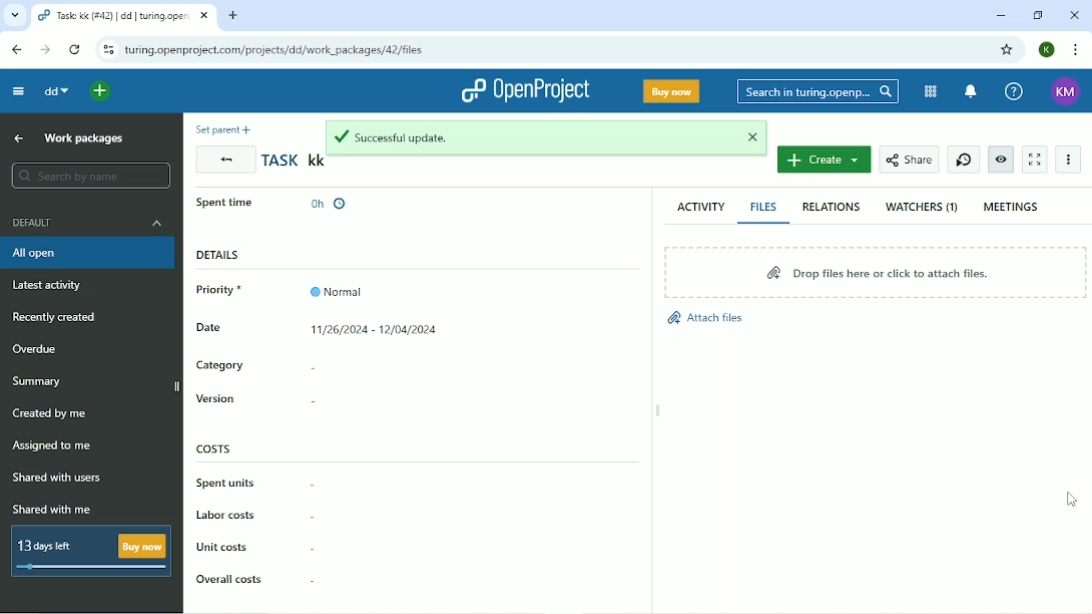 This screenshot has width=1092, height=614. I want to click on Attach files, so click(706, 318).